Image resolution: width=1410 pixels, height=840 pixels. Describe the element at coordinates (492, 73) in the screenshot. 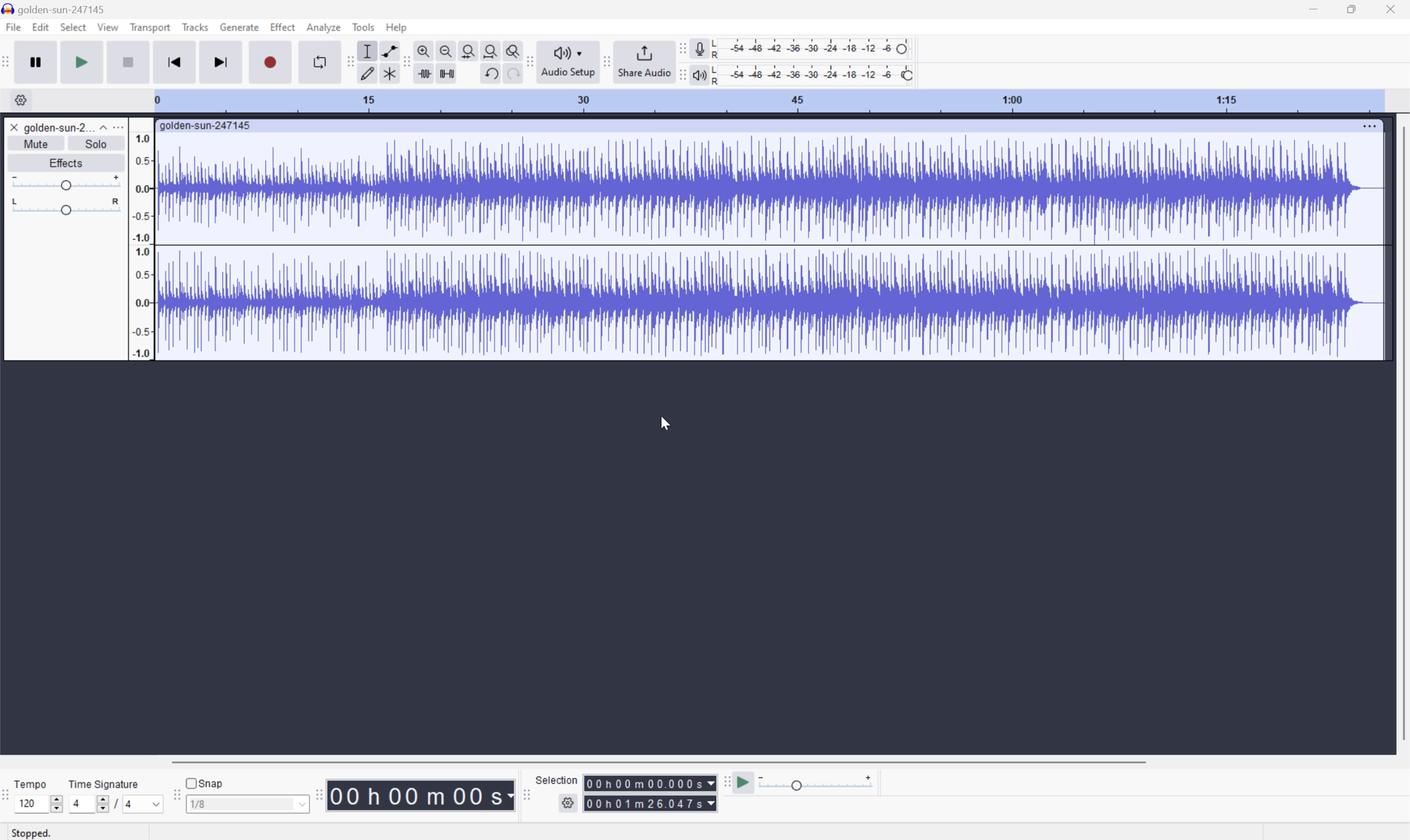

I see `Undo` at that location.